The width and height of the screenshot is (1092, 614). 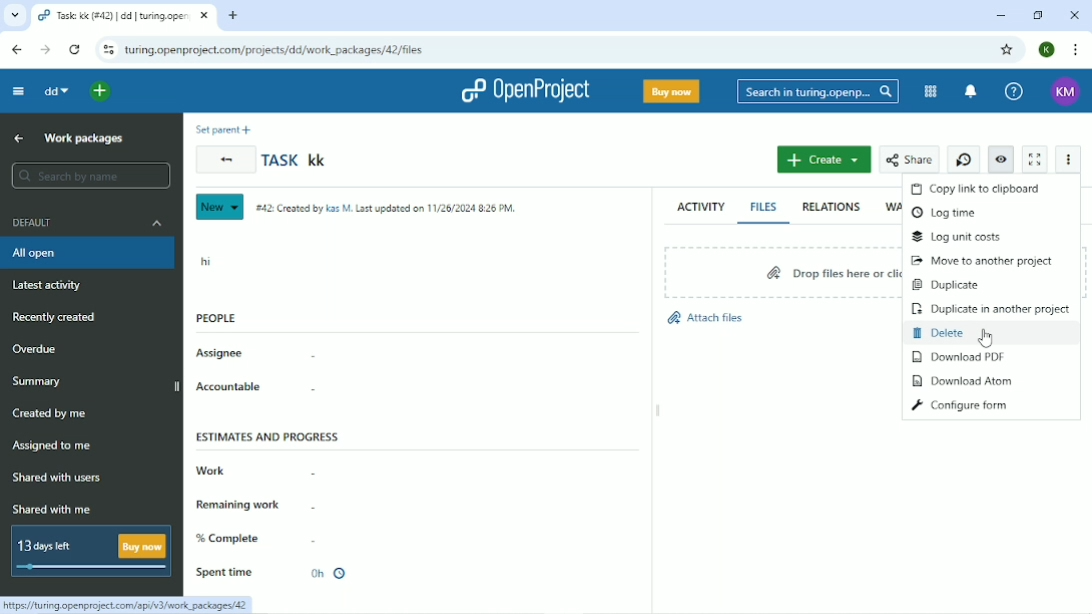 I want to click on Help, so click(x=1015, y=92).